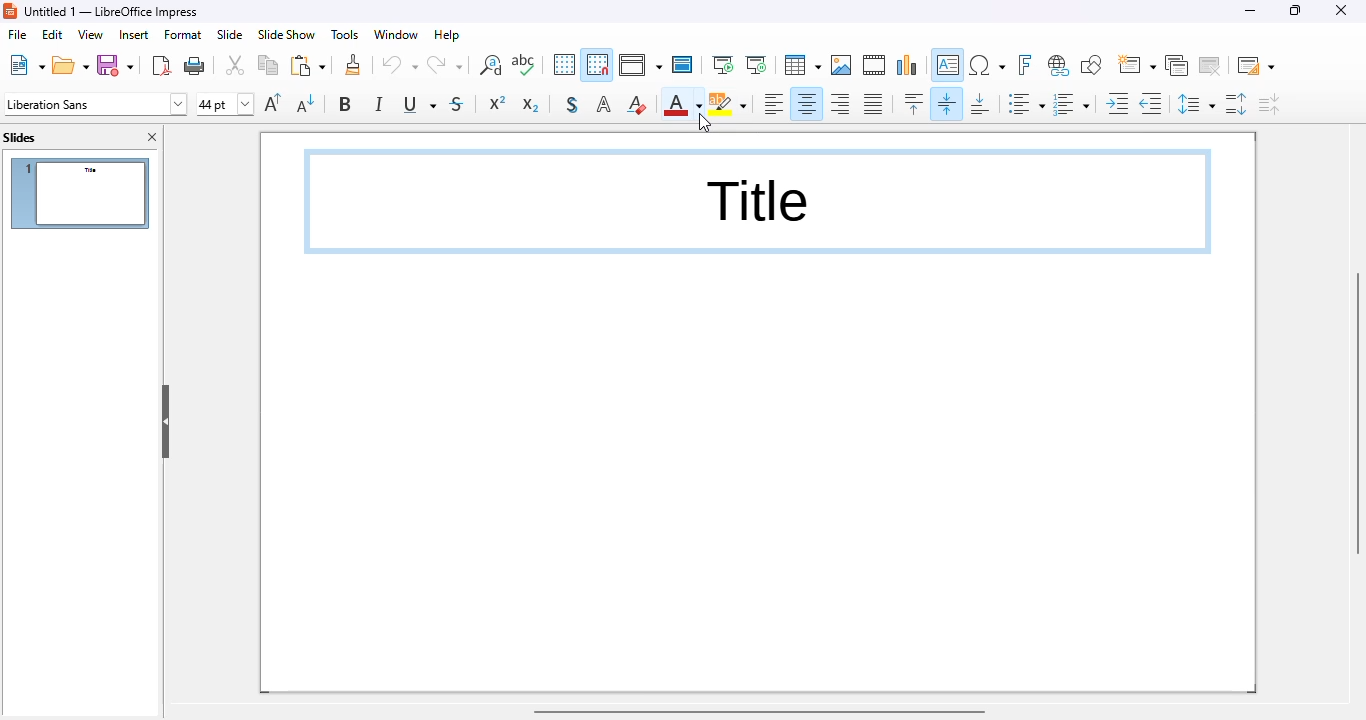 This screenshot has width=1366, height=720. What do you see at coordinates (306, 103) in the screenshot?
I see `decrease font size` at bounding box center [306, 103].